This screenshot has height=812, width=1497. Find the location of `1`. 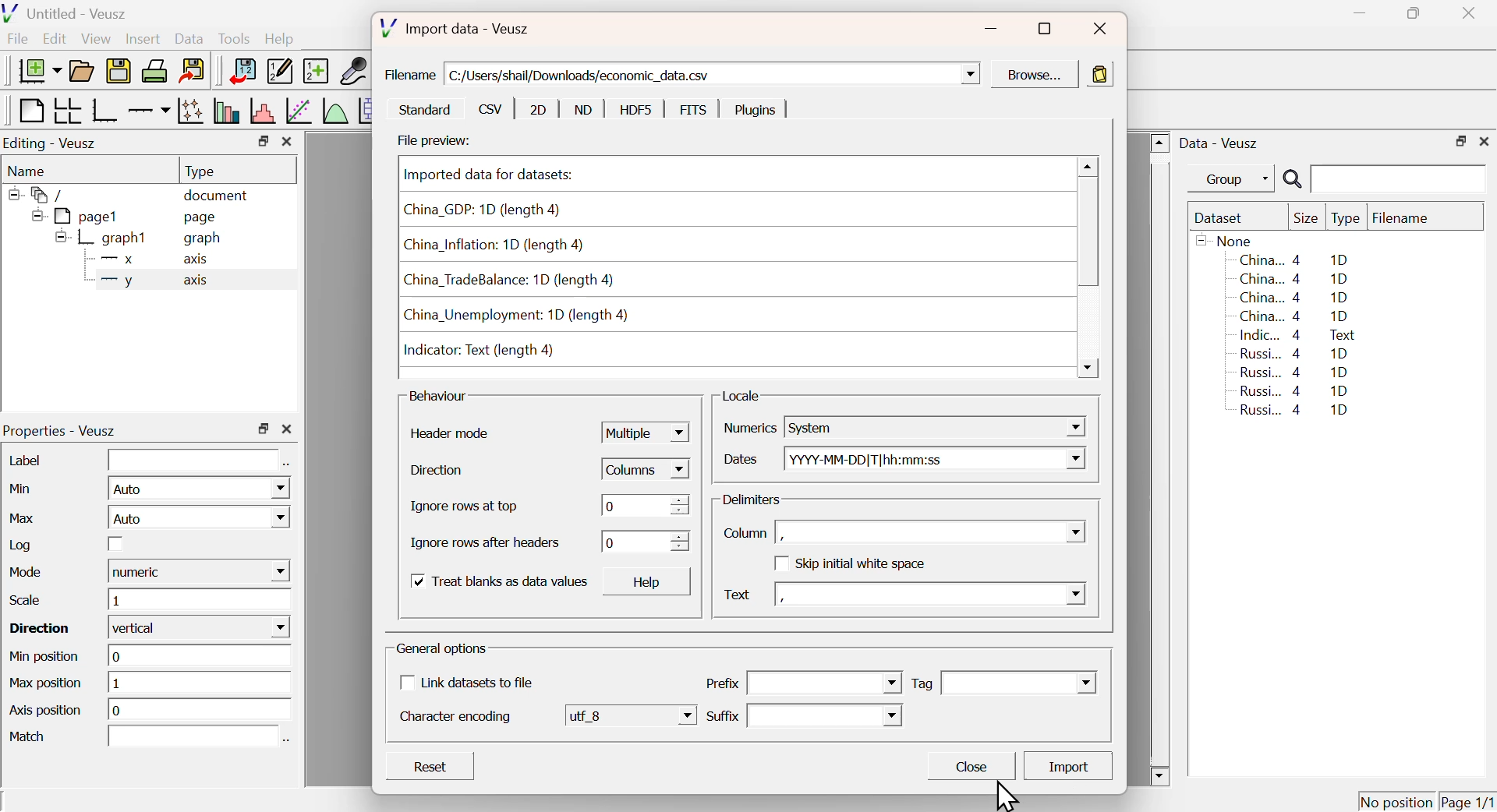

1 is located at coordinates (199, 600).